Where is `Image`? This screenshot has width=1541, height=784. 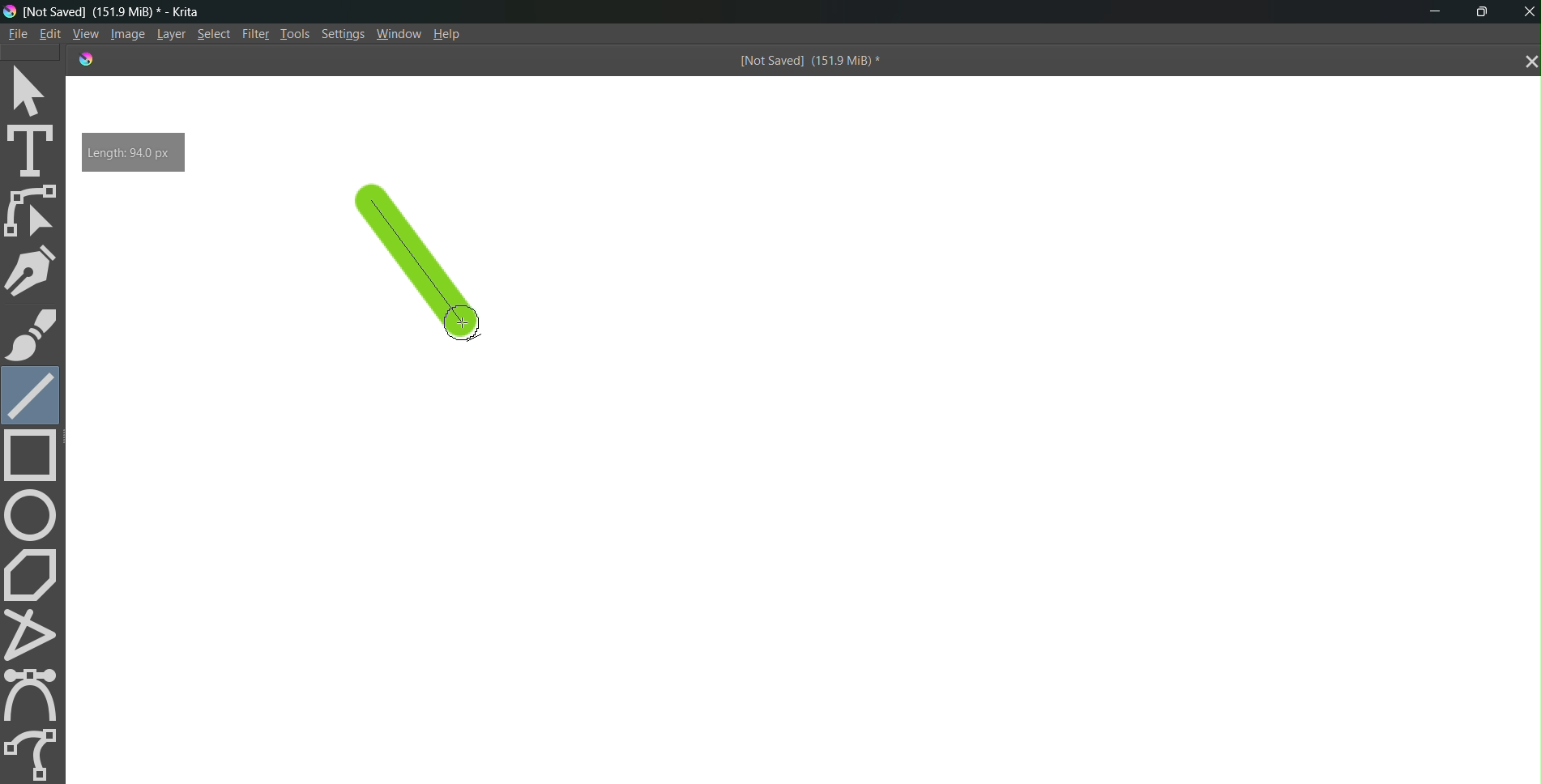
Image is located at coordinates (125, 35).